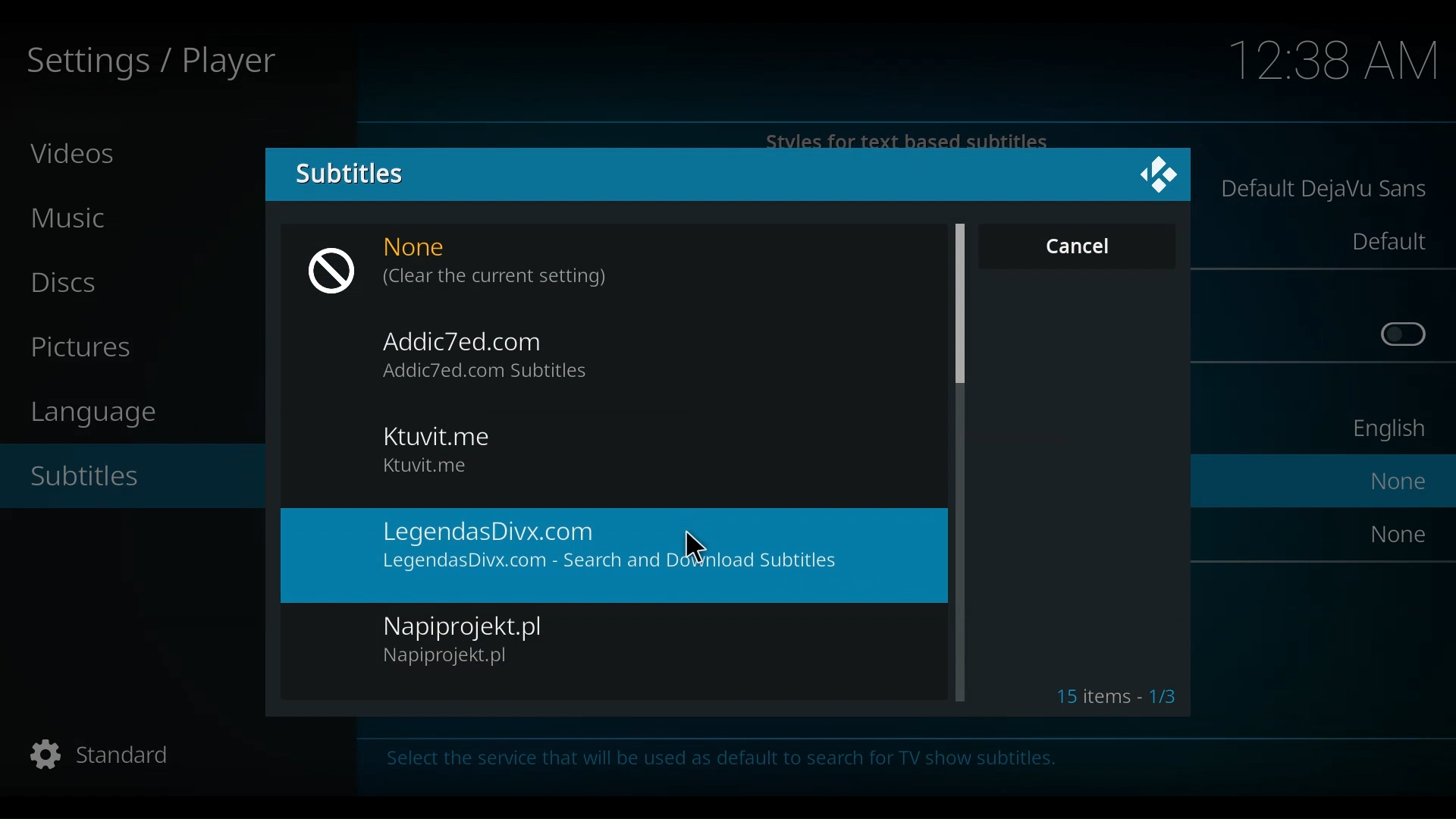  What do you see at coordinates (88, 349) in the screenshot?
I see `Pictures` at bounding box center [88, 349].